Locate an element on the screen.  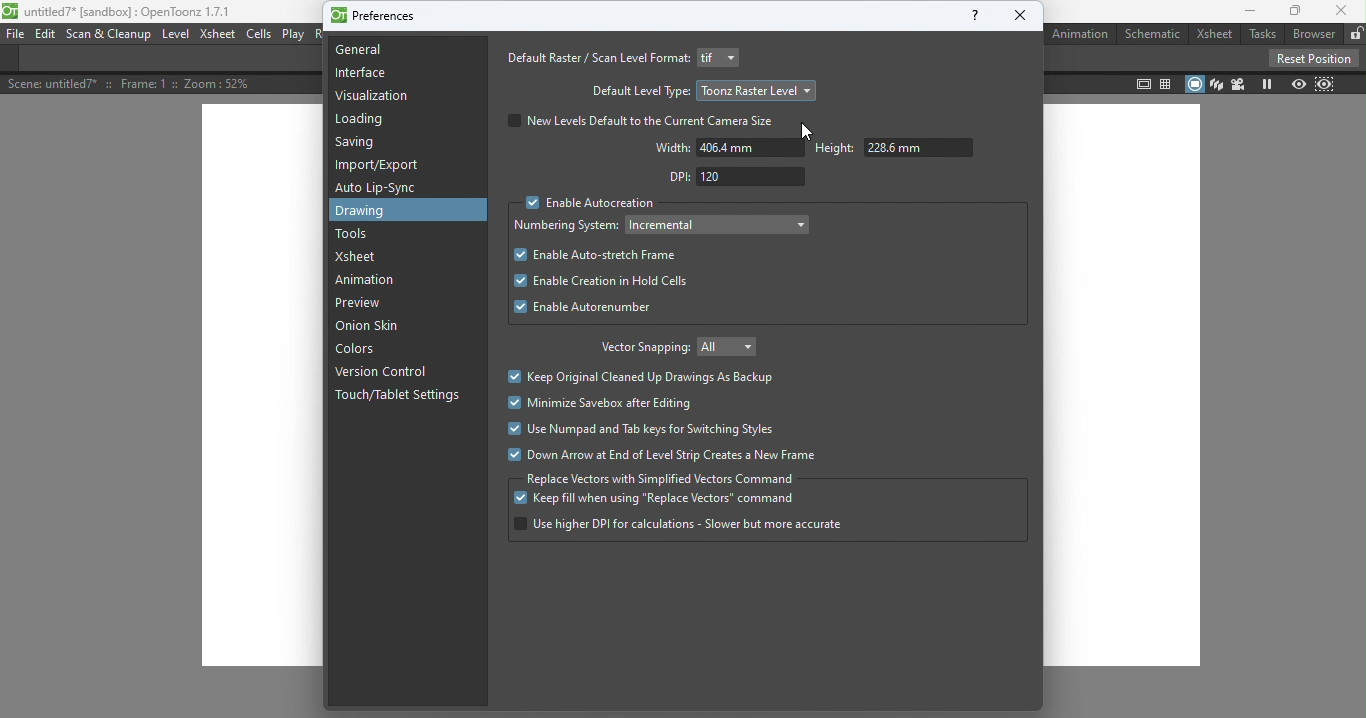
Schematic is located at coordinates (1154, 33).